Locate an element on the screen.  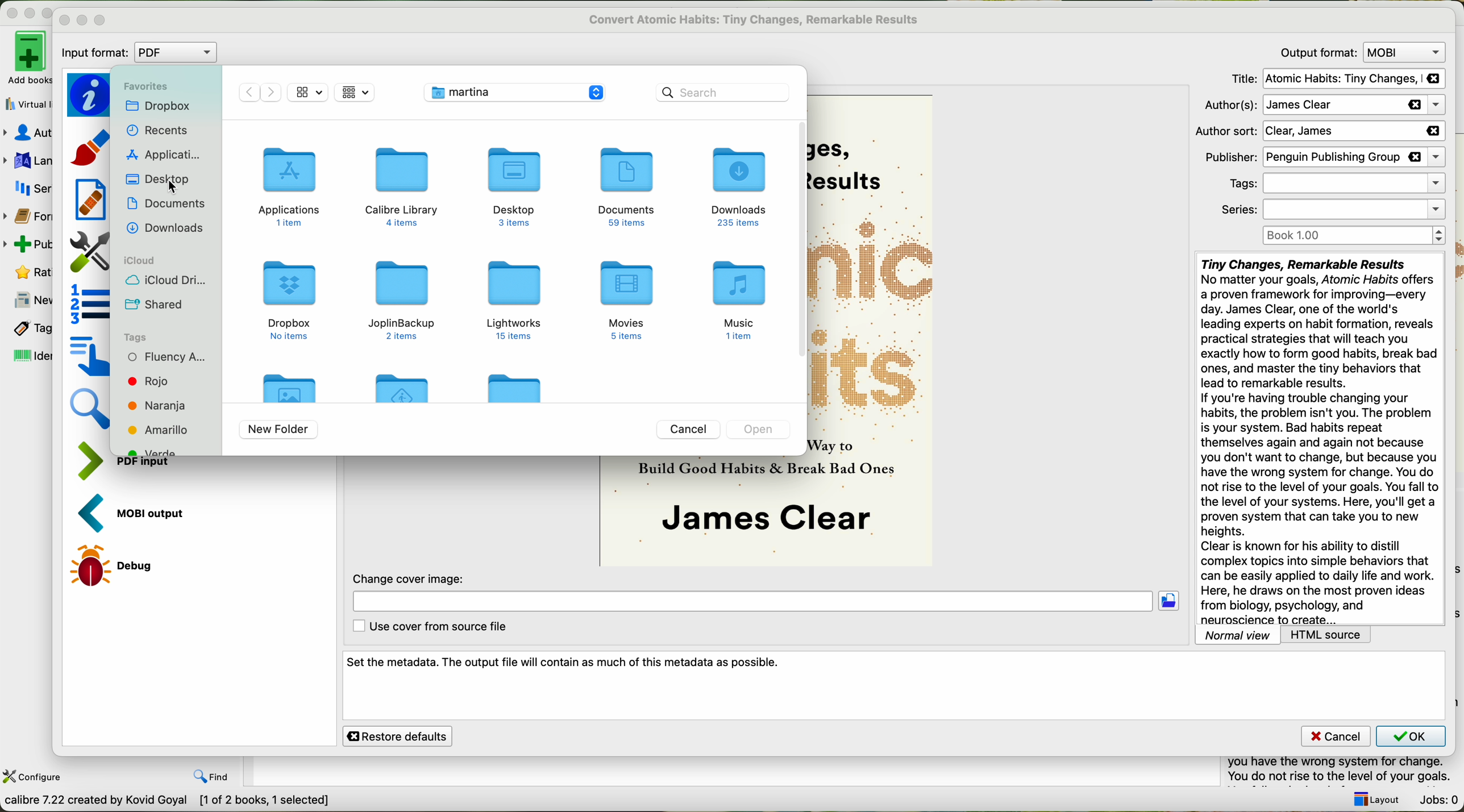
publisher is located at coordinates (1322, 157).